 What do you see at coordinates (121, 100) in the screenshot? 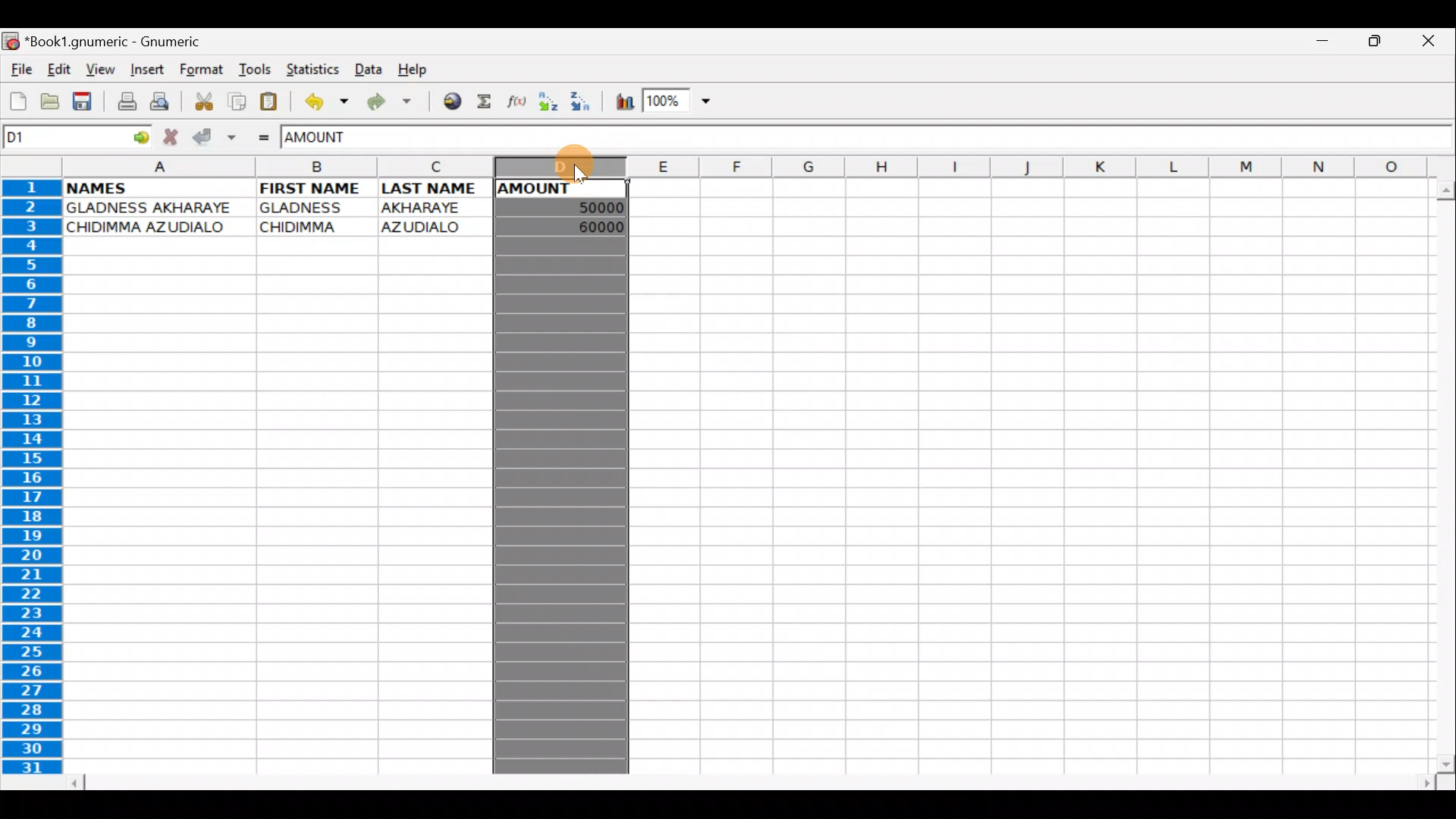
I see `Print file` at bounding box center [121, 100].